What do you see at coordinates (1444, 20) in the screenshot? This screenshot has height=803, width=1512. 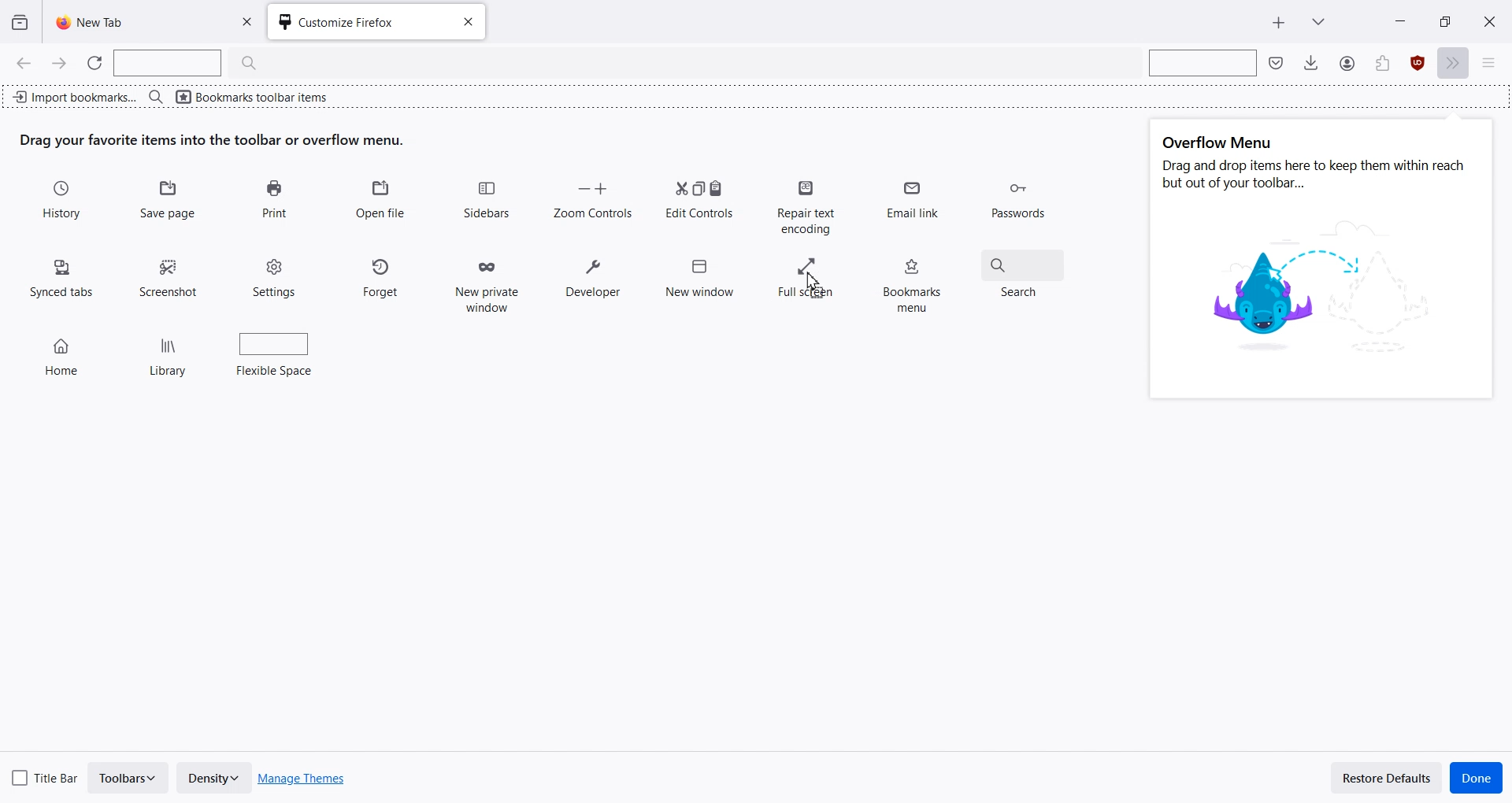 I see `Maximize` at bounding box center [1444, 20].